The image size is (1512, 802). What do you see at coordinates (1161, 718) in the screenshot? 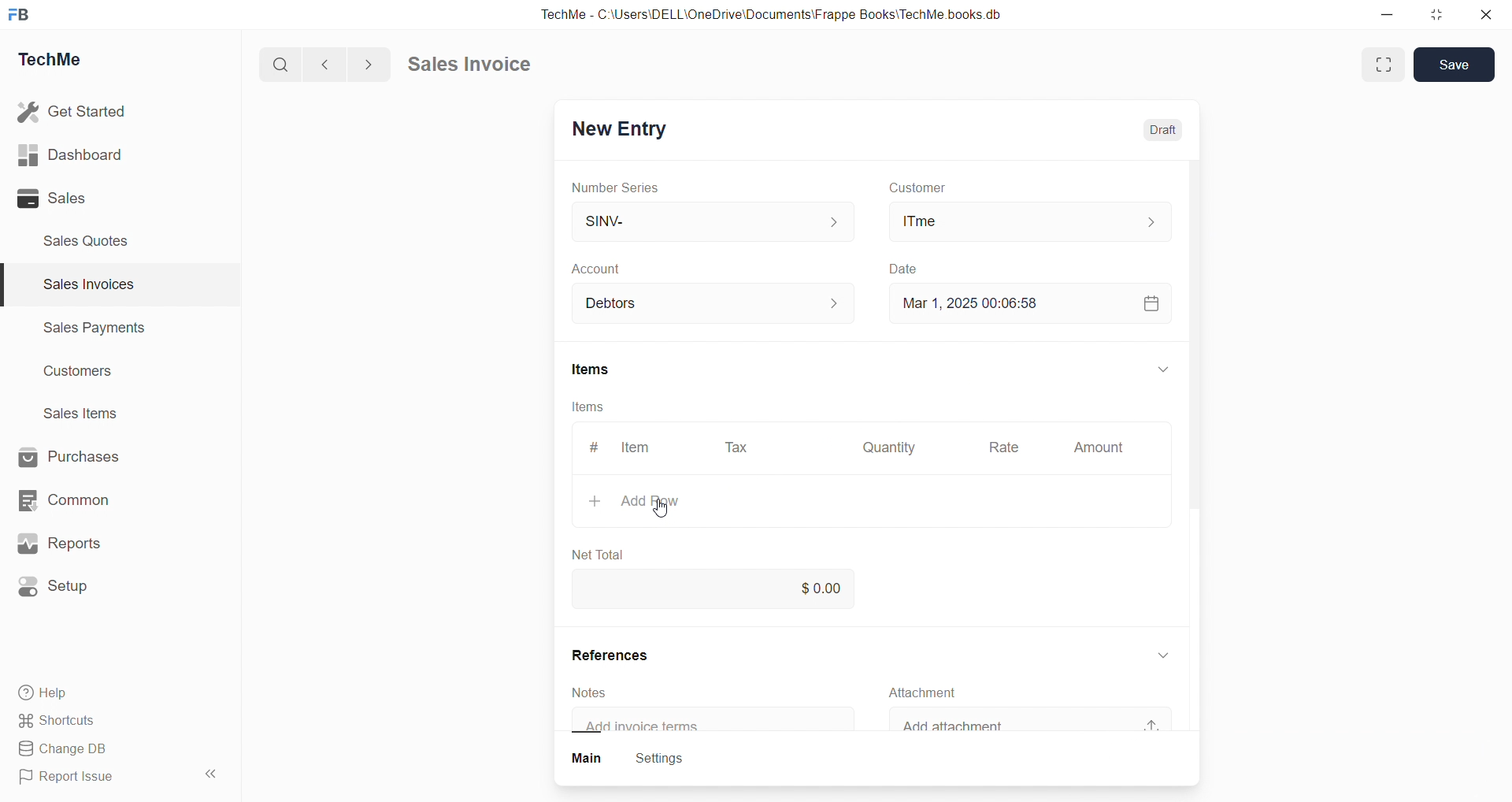
I see `Add Attachment button` at bounding box center [1161, 718].